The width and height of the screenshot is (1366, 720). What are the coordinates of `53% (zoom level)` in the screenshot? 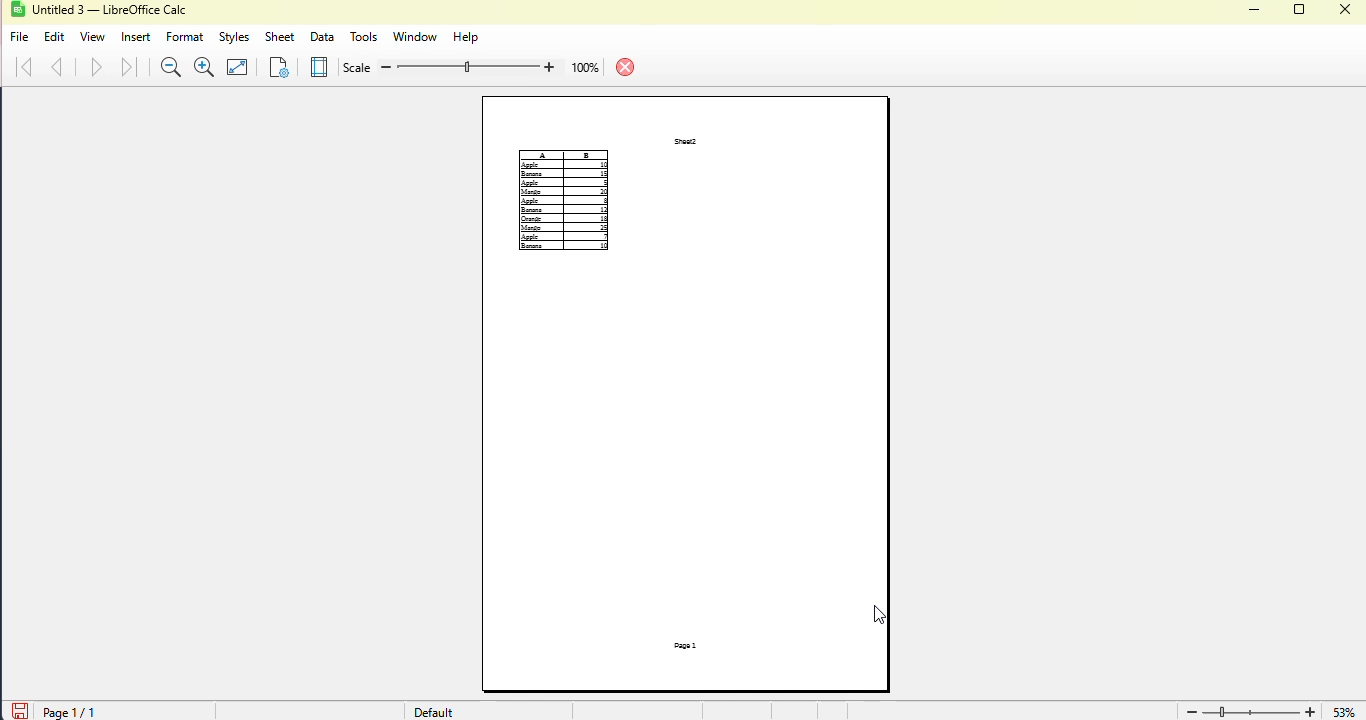 It's located at (1348, 708).